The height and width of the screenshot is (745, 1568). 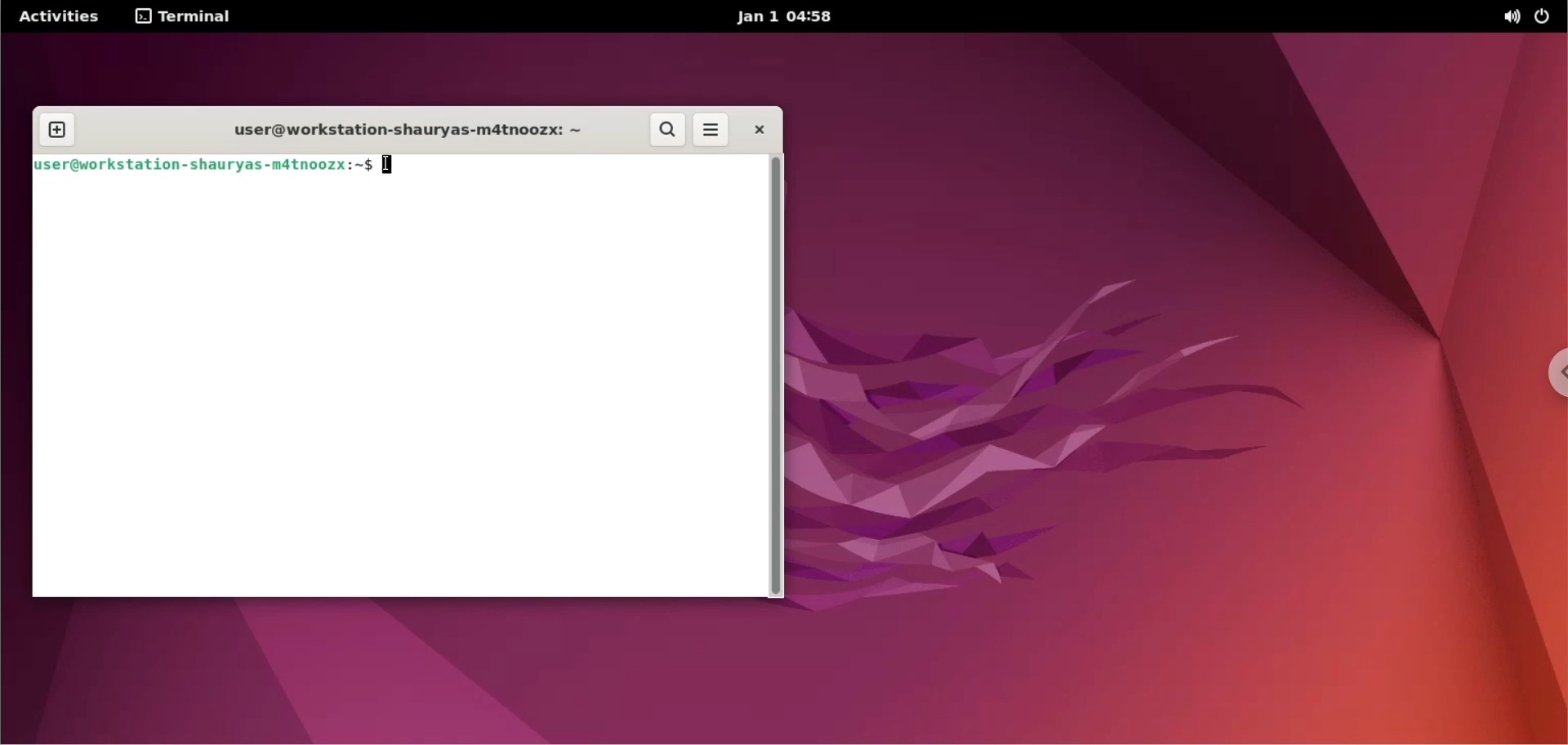 What do you see at coordinates (390, 165) in the screenshot?
I see `cursor` at bounding box center [390, 165].